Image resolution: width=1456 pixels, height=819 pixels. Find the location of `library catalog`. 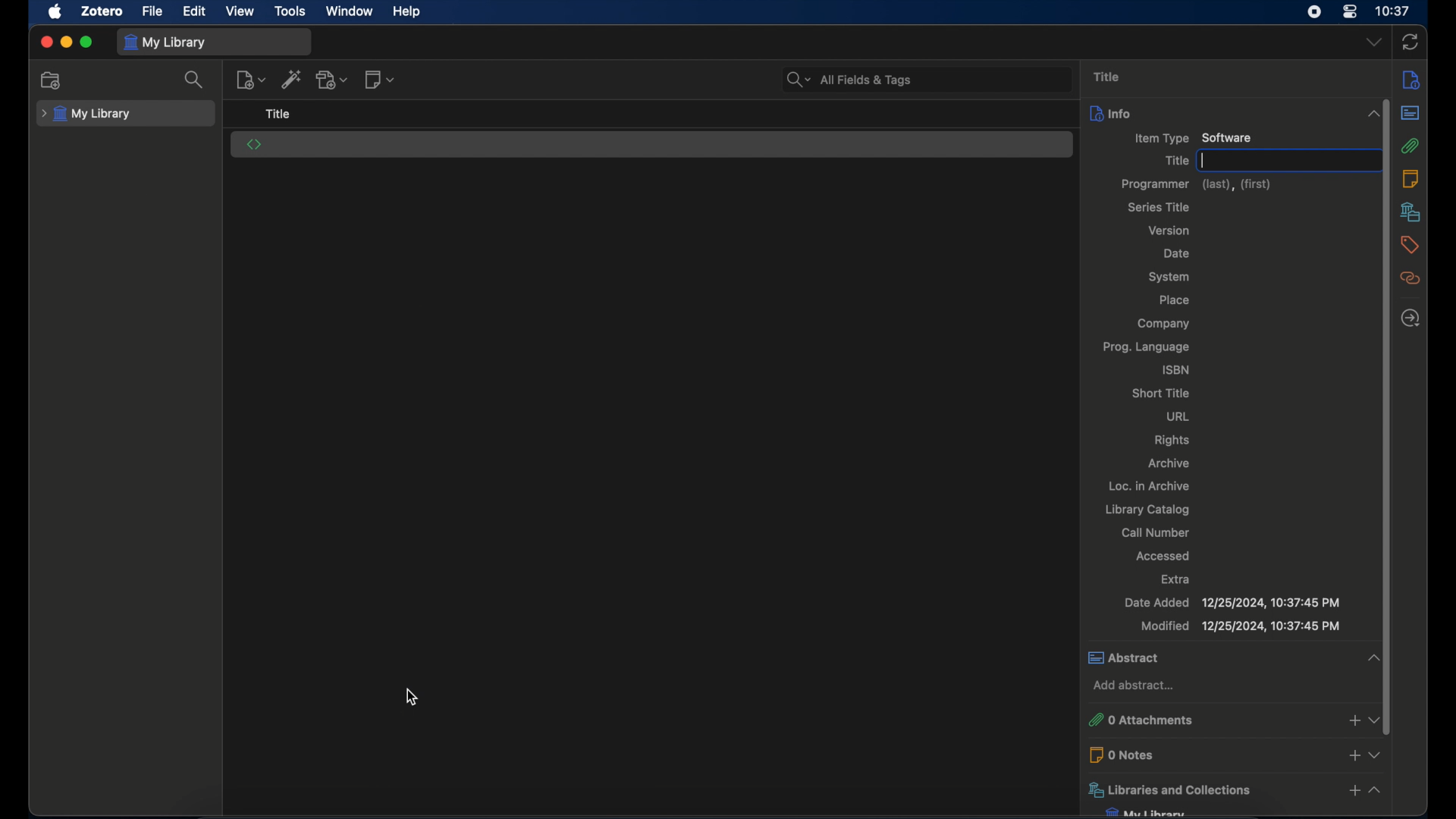

library catalog is located at coordinates (1147, 510).